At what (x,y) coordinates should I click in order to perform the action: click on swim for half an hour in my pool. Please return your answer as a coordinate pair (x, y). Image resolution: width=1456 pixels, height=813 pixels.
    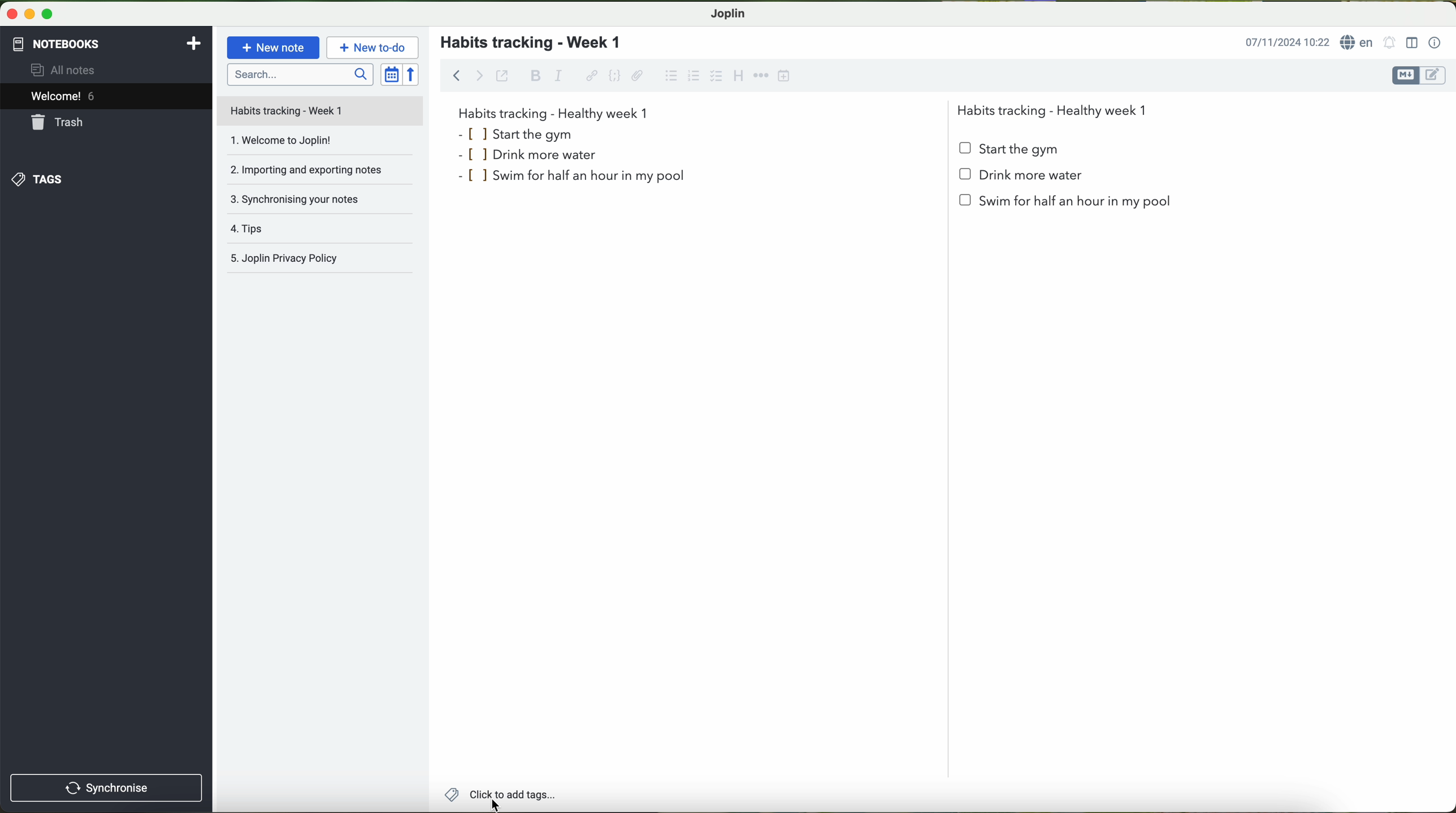
    Looking at the image, I should click on (574, 178).